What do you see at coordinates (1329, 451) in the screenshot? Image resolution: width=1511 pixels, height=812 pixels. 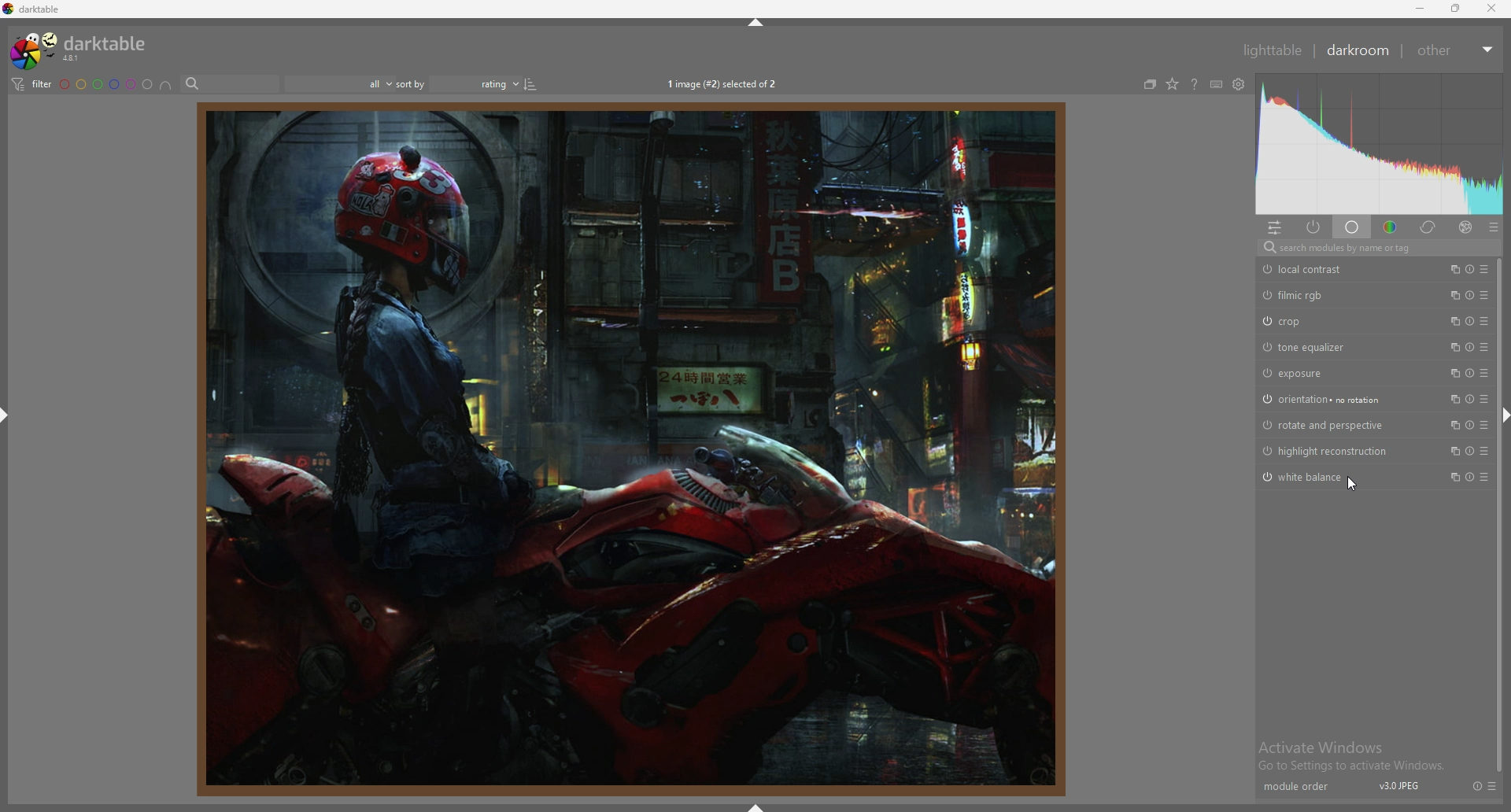 I see `highlight reconstruction` at bounding box center [1329, 451].